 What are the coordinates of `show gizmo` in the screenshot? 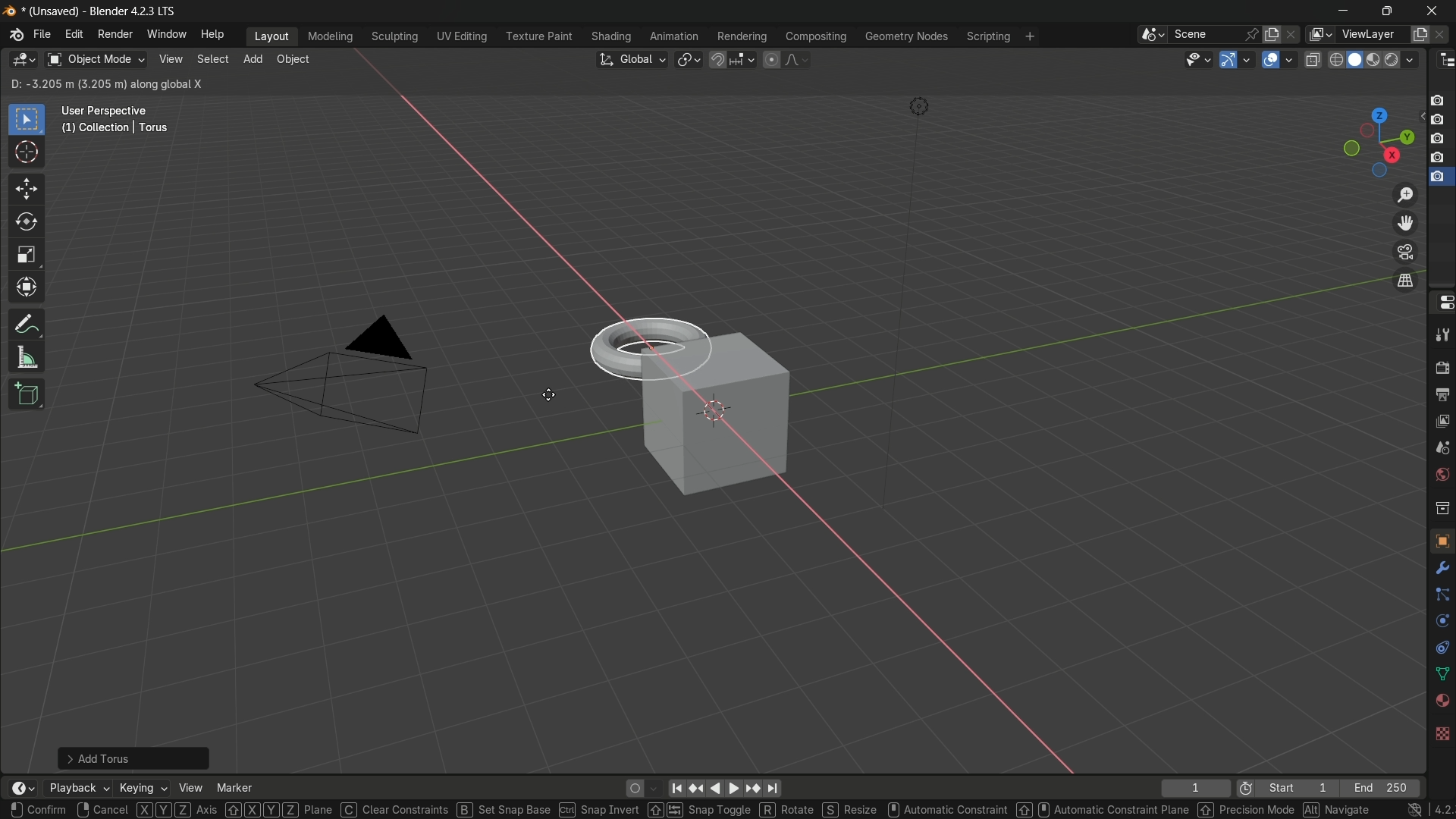 It's located at (1228, 60).